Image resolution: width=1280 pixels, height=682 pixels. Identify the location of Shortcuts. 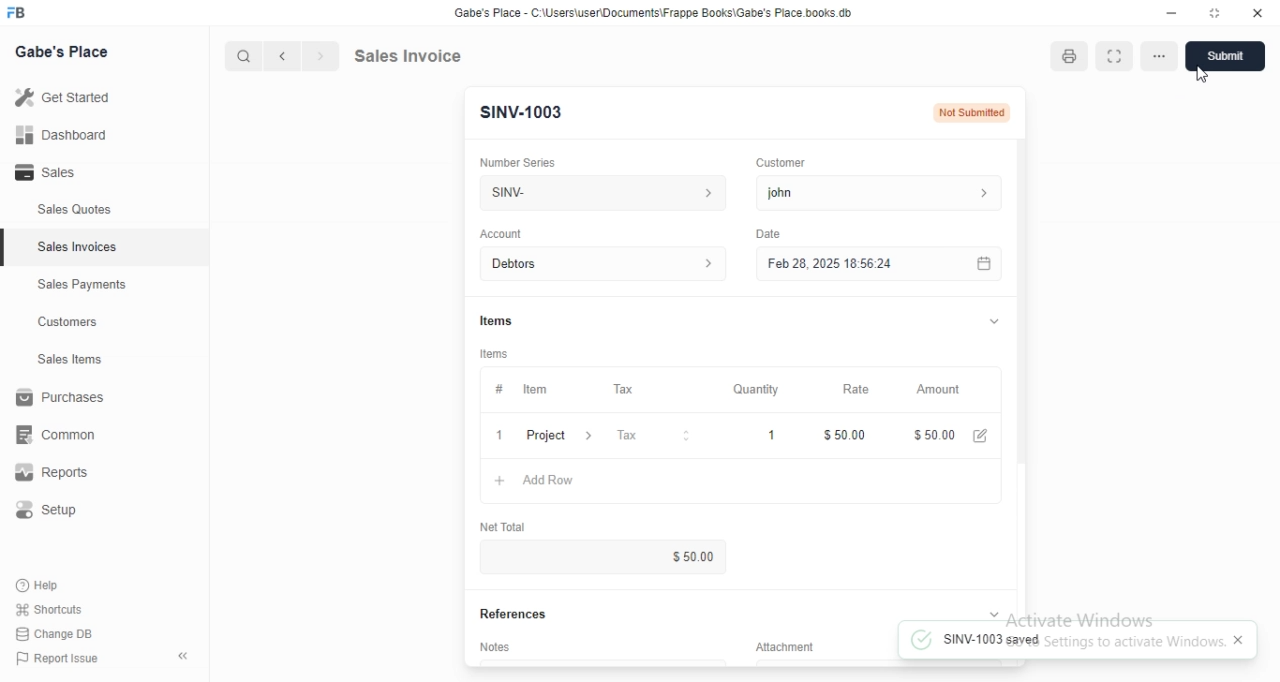
(61, 608).